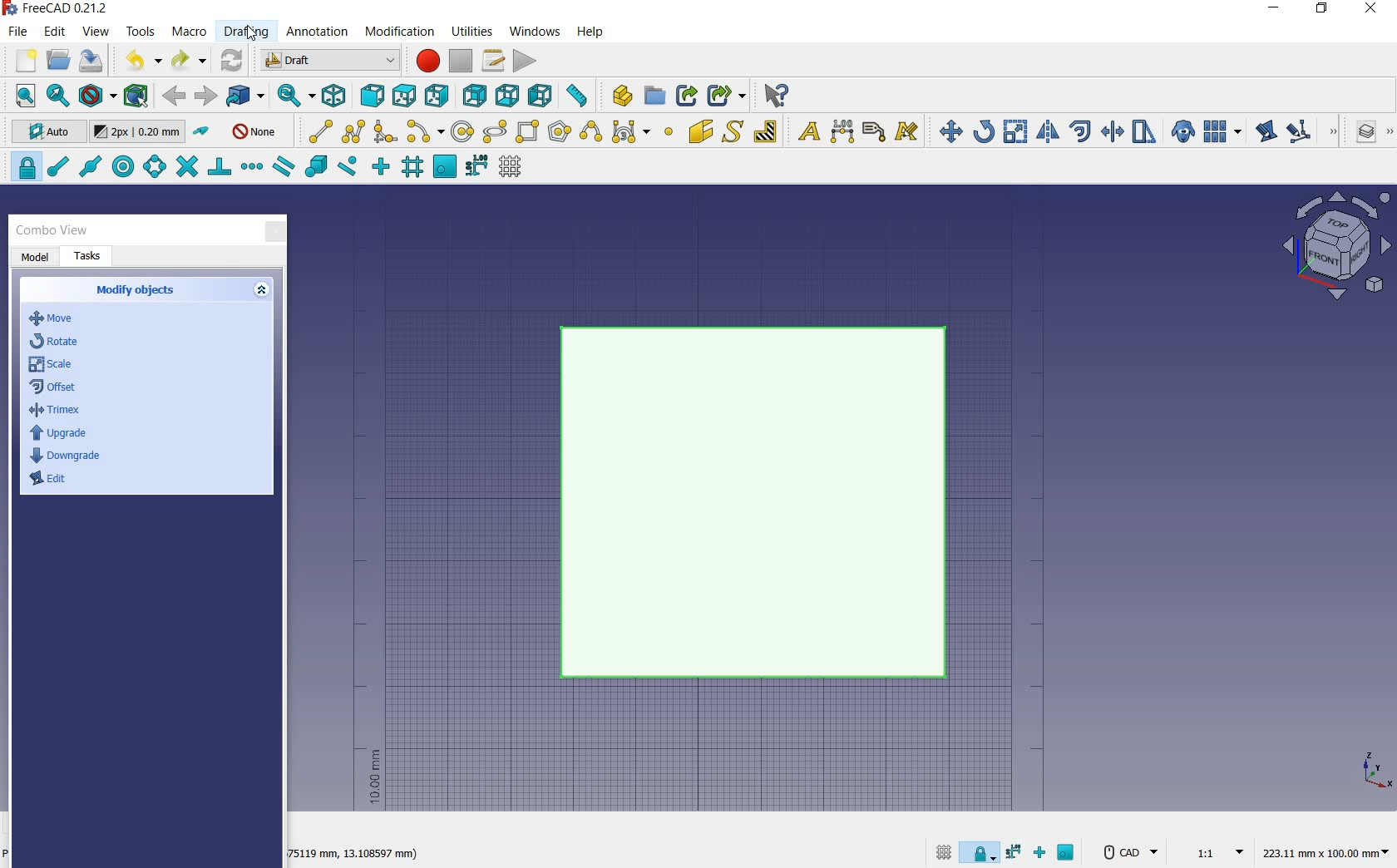 This screenshot has height=868, width=1397. I want to click on minimize, so click(1275, 10).